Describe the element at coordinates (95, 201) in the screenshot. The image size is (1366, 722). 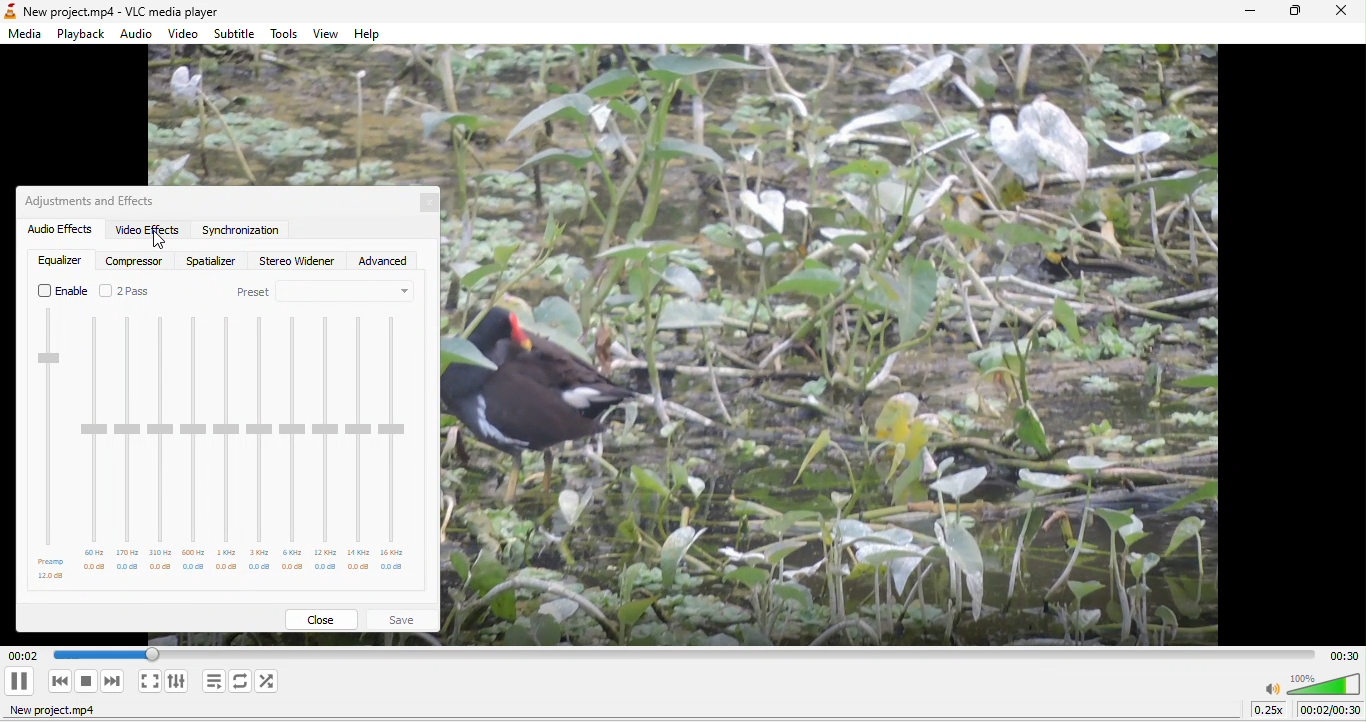
I see `adjustments and effects` at that location.